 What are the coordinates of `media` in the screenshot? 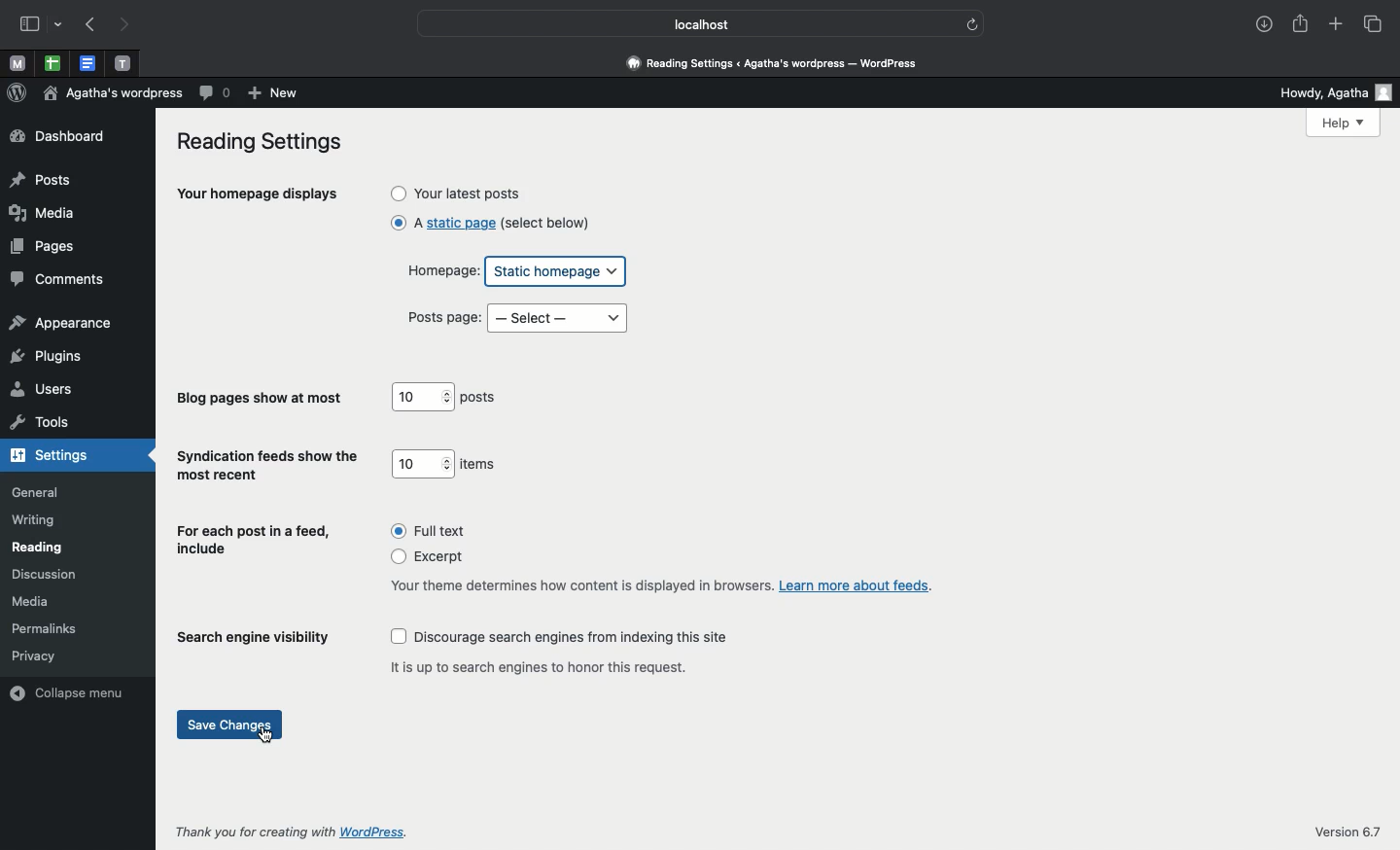 It's located at (34, 601).